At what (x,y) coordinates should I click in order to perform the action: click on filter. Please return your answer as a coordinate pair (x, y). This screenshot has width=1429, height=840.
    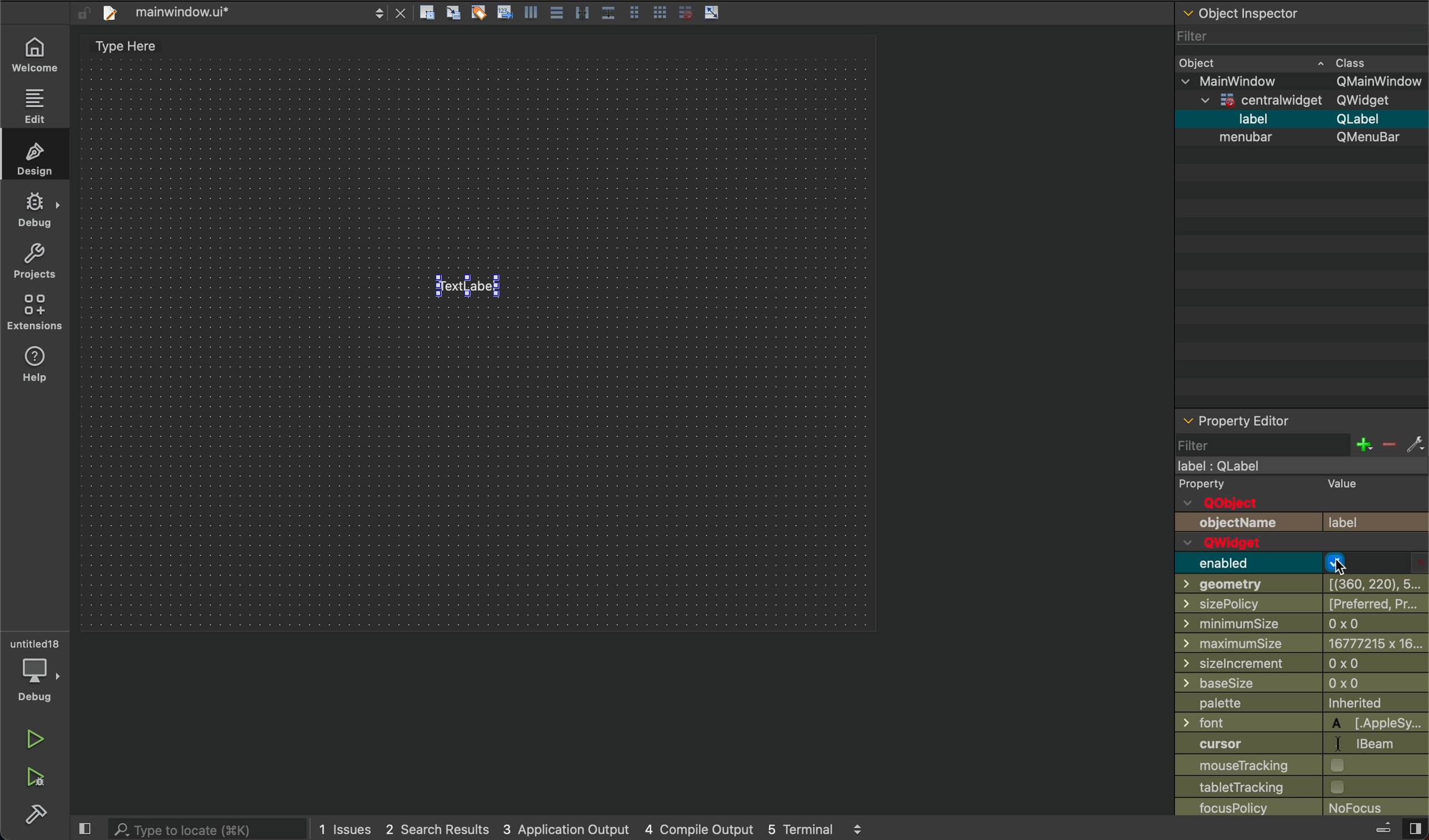
    Looking at the image, I should click on (1214, 443).